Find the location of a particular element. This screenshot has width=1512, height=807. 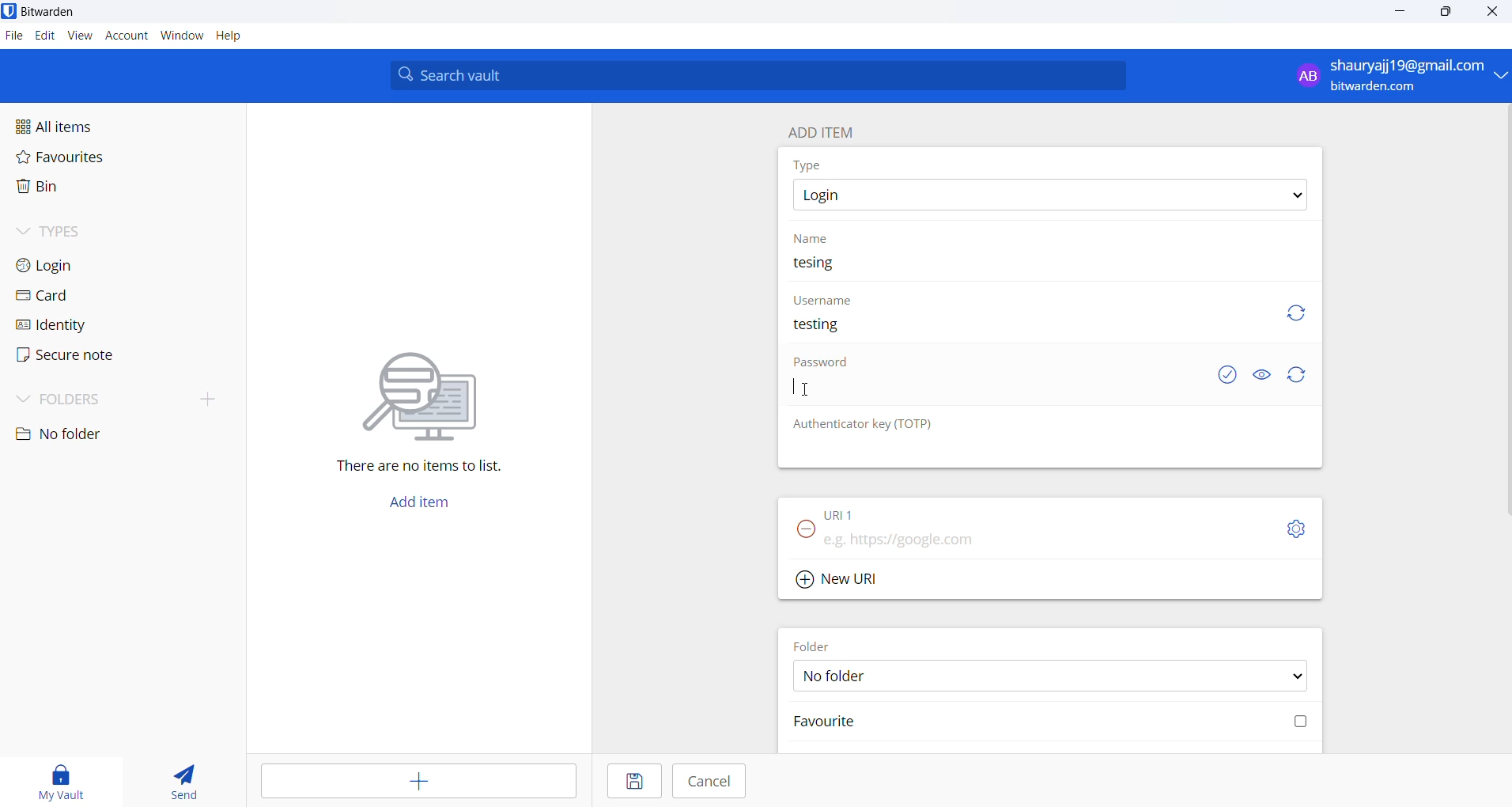

URL heading is located at coordinates (845, 513).